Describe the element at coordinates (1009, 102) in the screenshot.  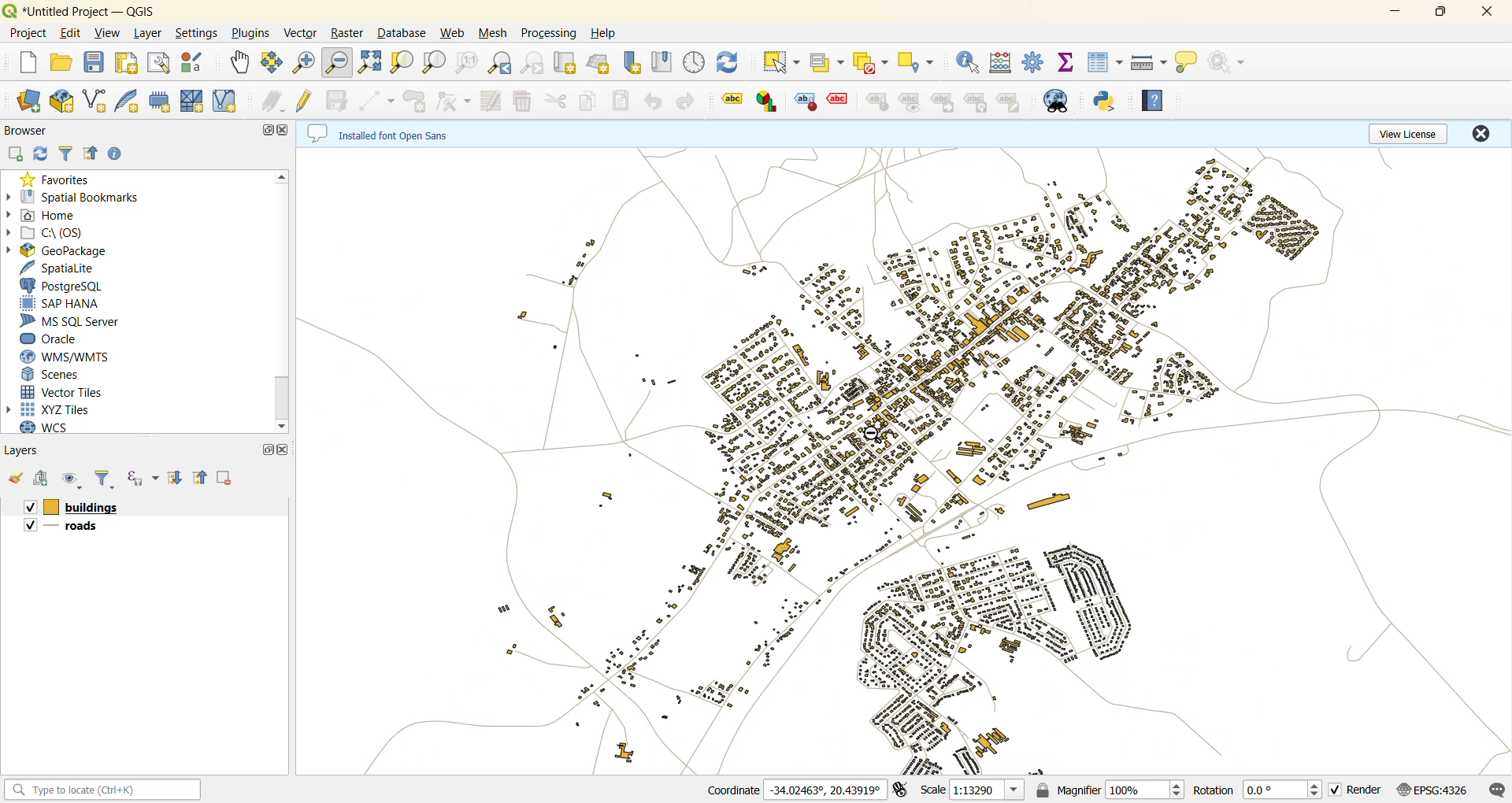
I see `label` at that location.